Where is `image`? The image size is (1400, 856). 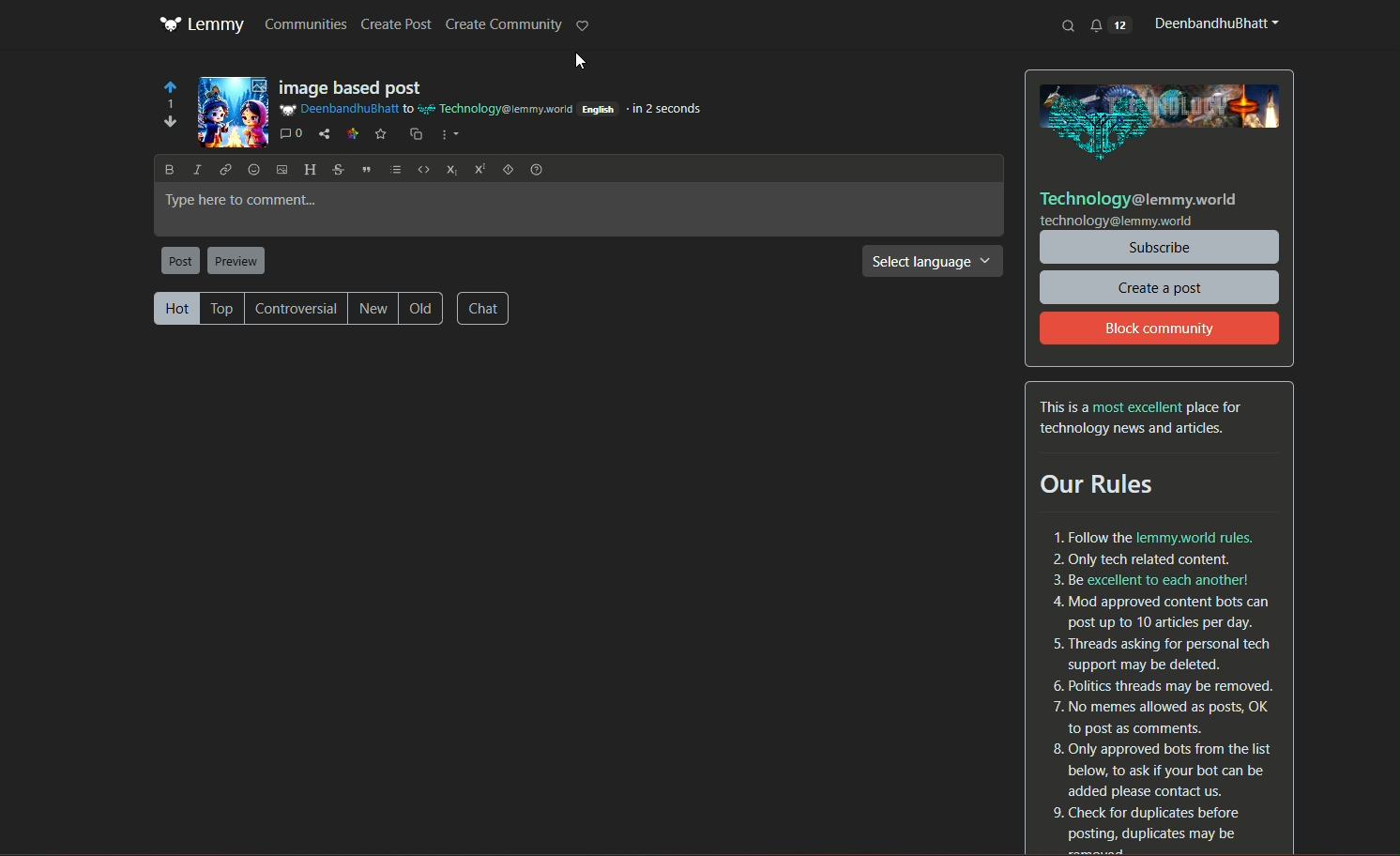 image is located at coordinates (234, 112).